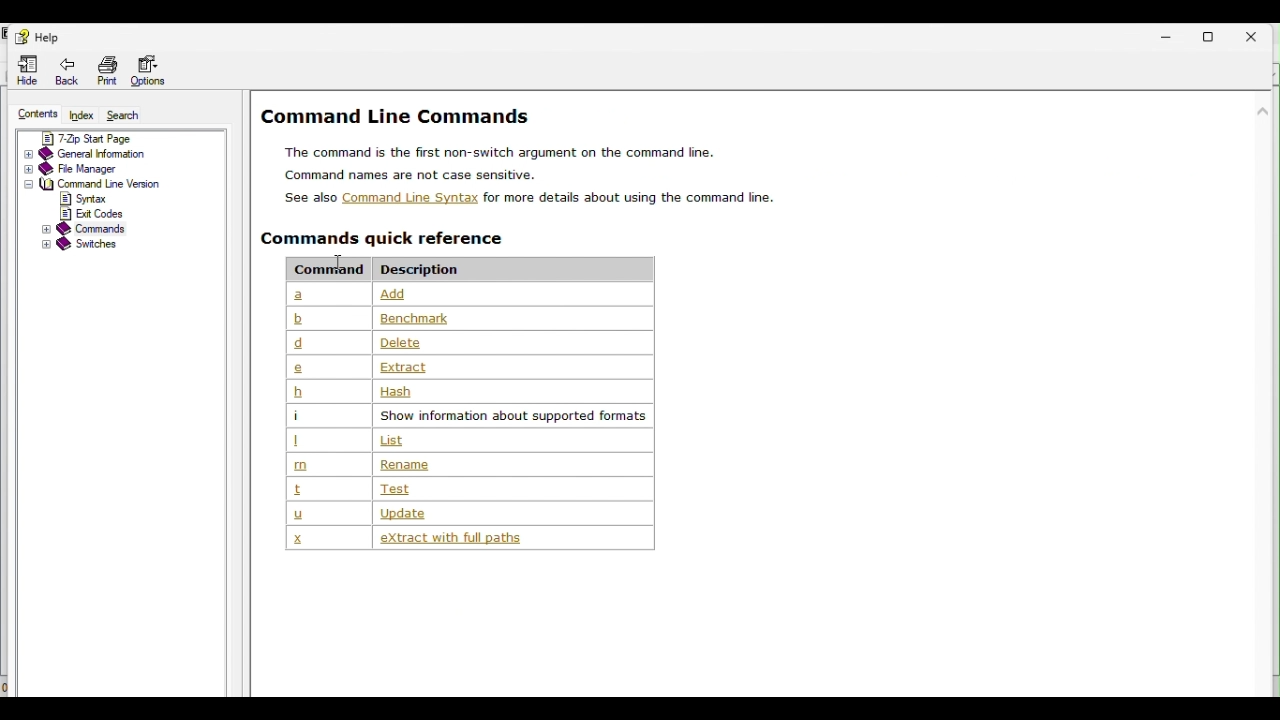 The image size is (1280, 720). What do you see at coordinates (405, 465) in the screenshot?
I see `description` at bounding box center [405, 465].